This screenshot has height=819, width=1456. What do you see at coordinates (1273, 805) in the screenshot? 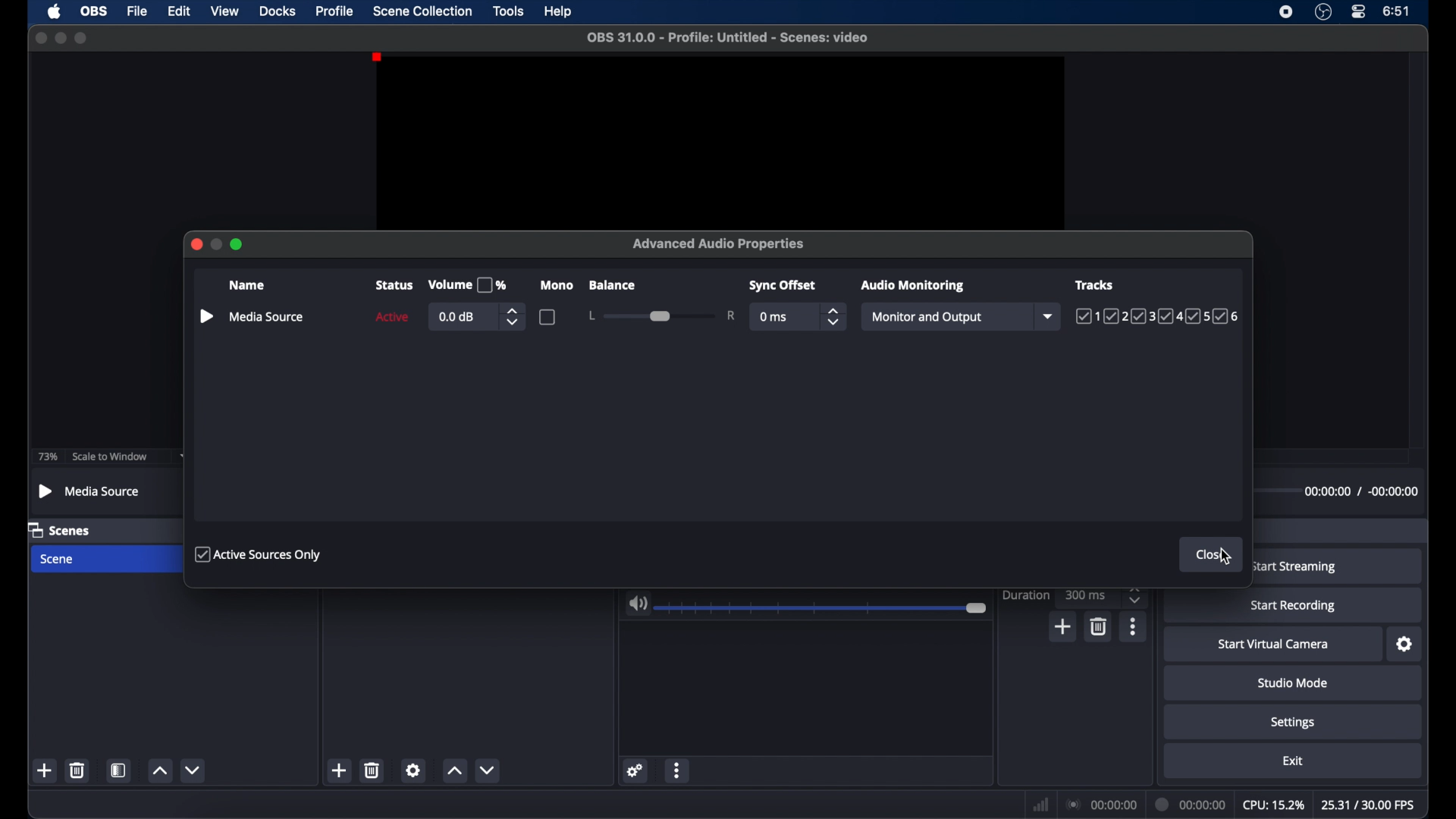
I see `cpu` at bounding box center [1273, 805].